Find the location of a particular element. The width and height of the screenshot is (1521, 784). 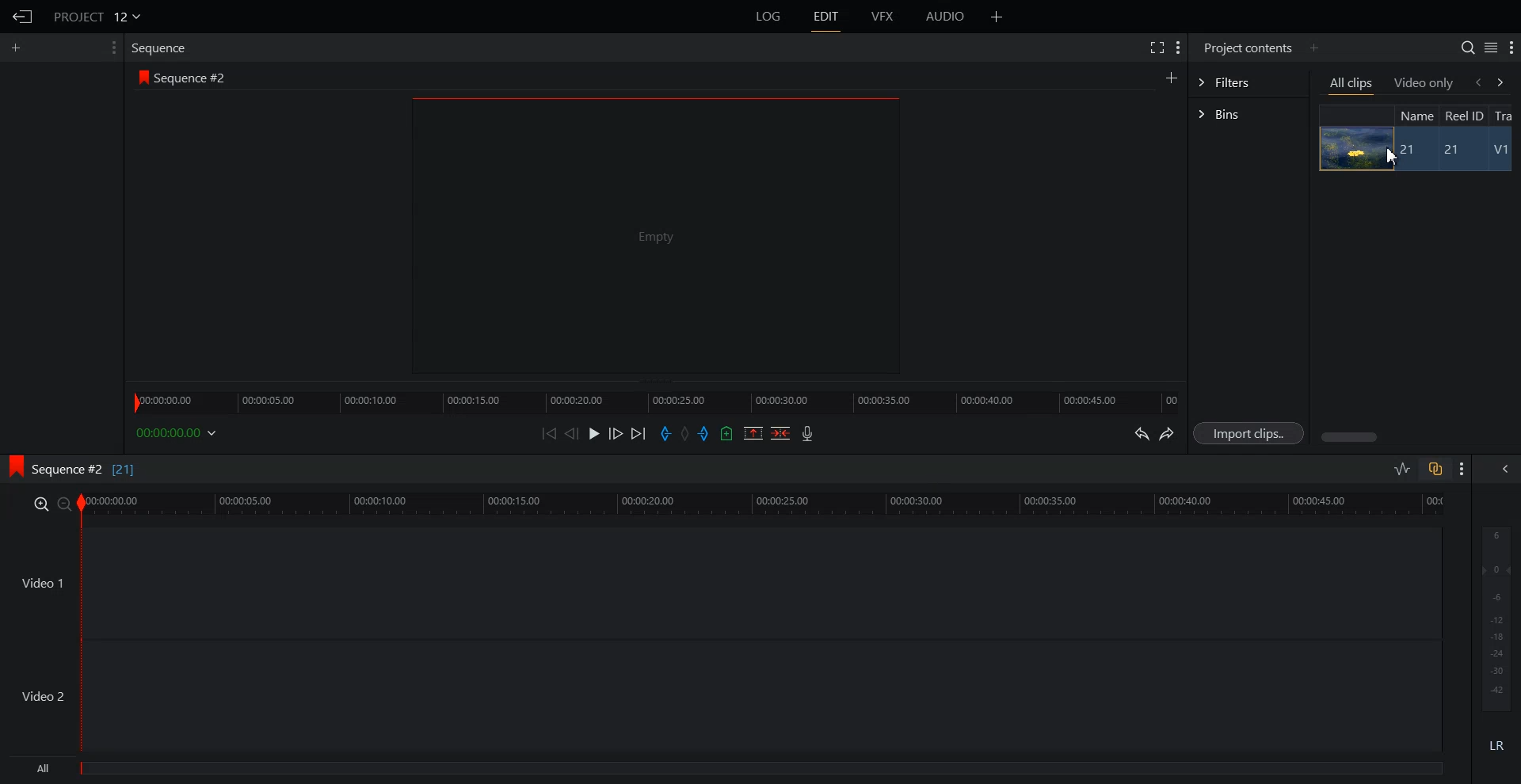

logo is located at coordinates (11, 464).